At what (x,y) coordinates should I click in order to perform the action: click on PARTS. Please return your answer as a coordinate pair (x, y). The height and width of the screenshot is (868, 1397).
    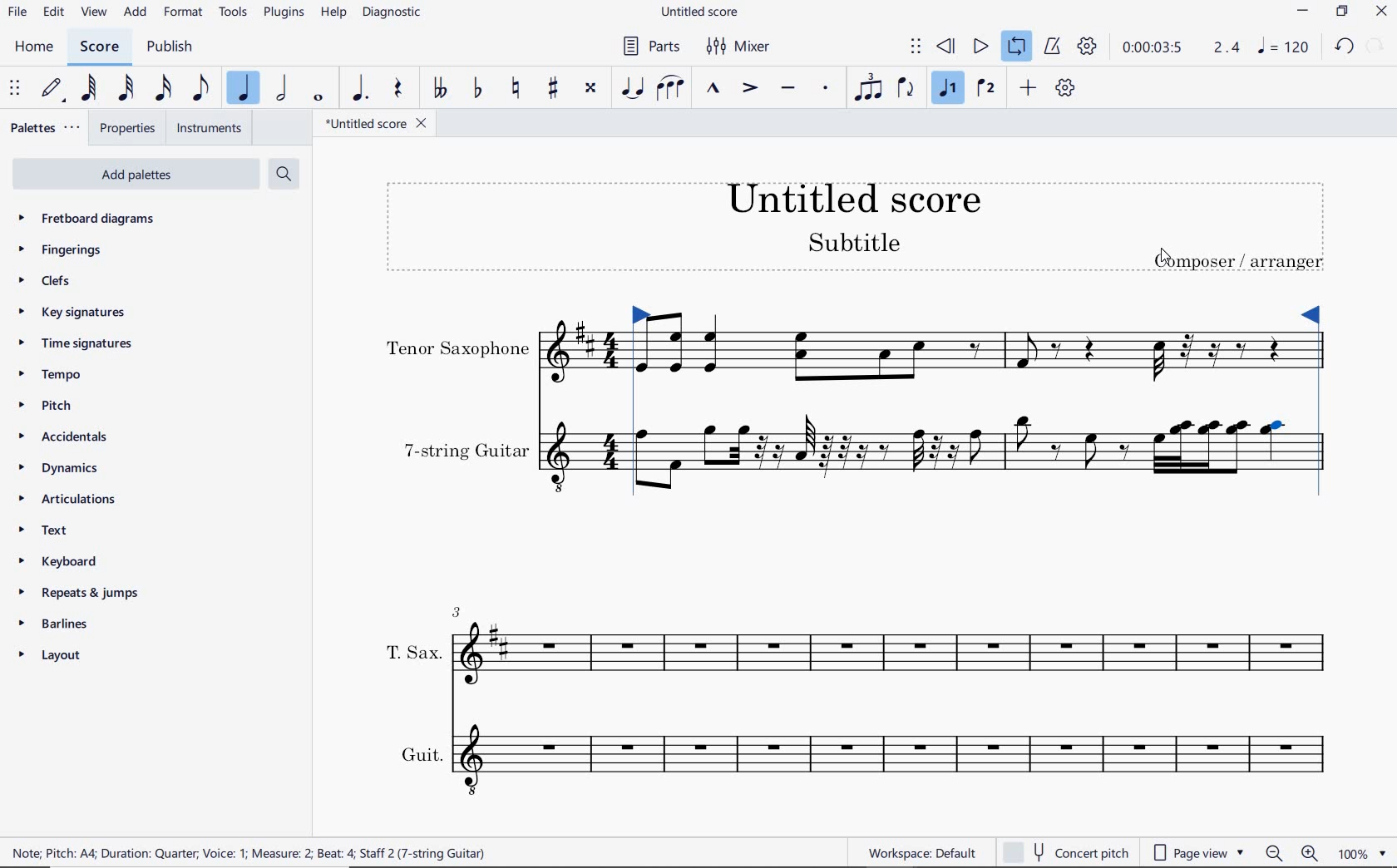
    Looking at the image, I should click on (650, 46).